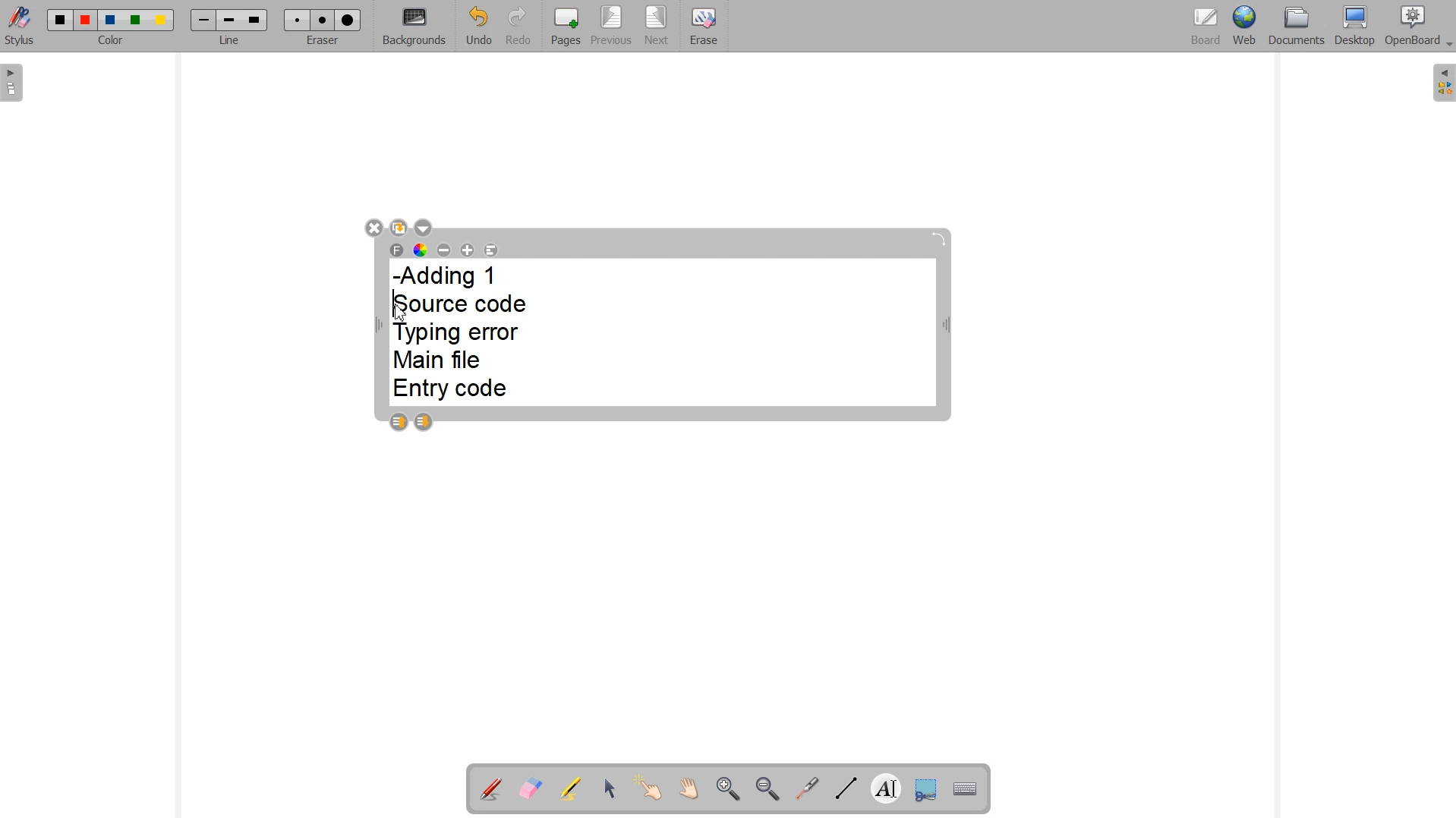 The image size is (1456, 818). What do you see at coordinates (477, 26) in the screenshot?
I see `Undo` at bounding box center [477, 26].